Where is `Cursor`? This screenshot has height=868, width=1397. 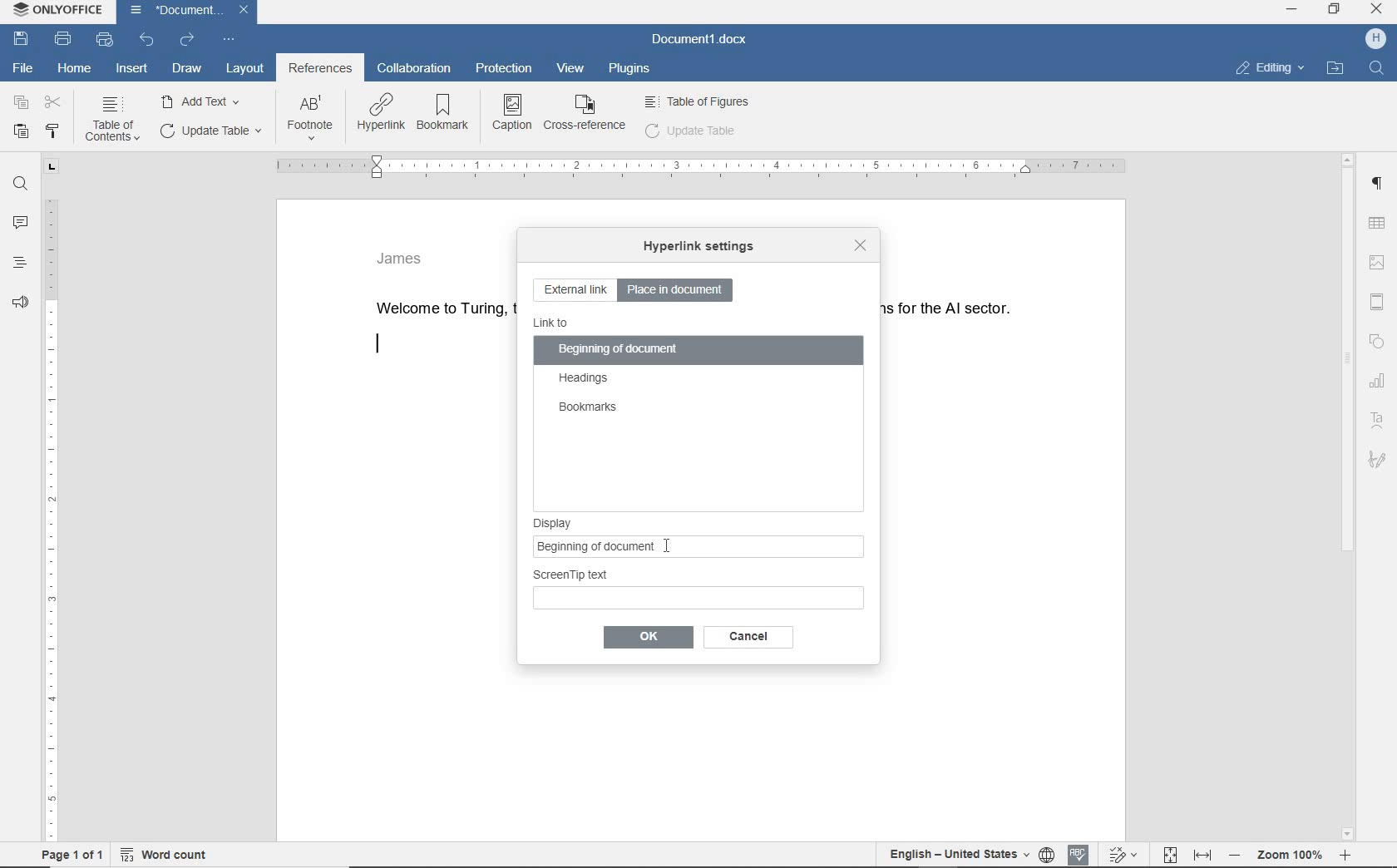 Cursor is located at coordinates (670, 548).